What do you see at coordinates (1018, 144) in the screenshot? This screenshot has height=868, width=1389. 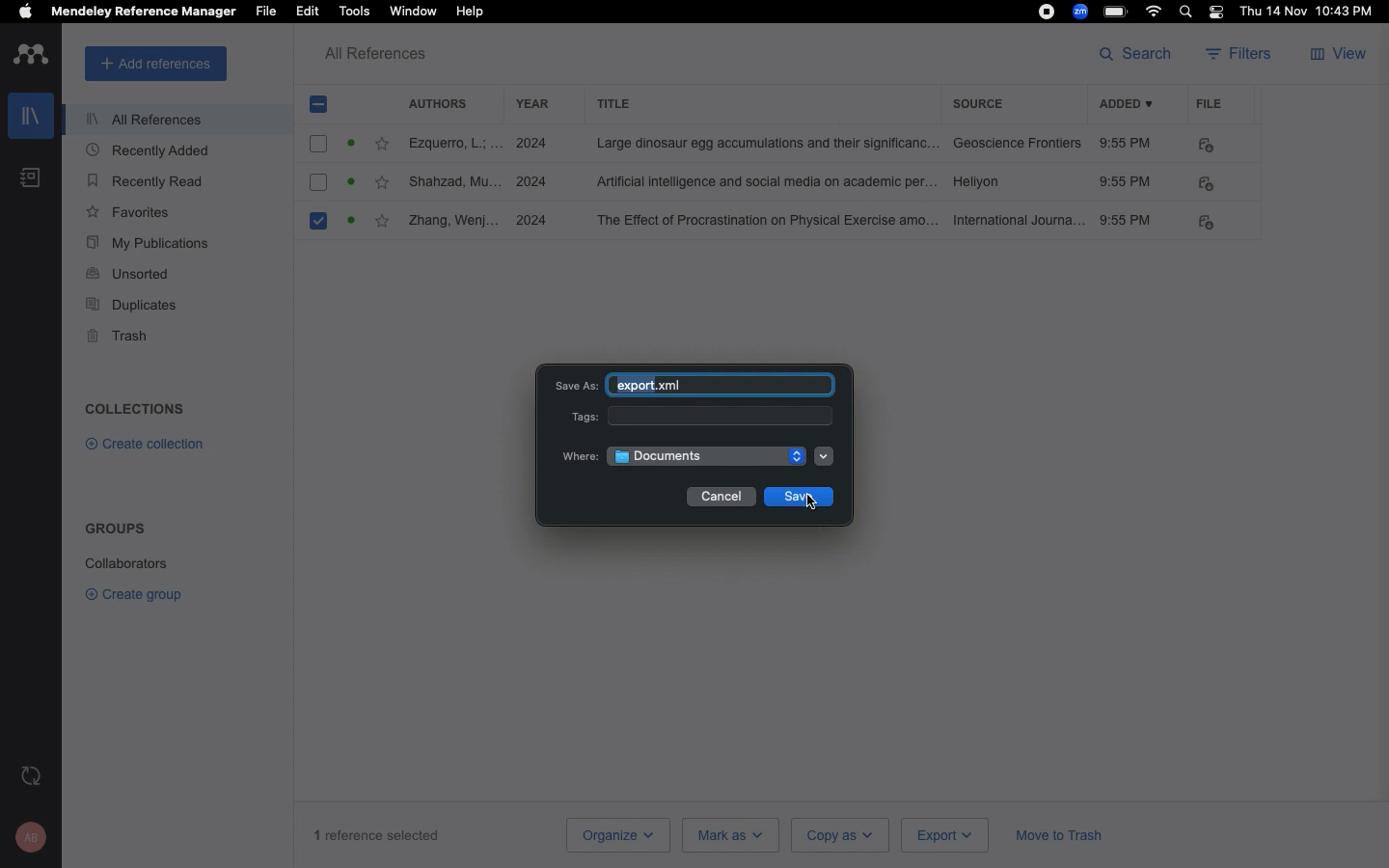 I see `Geoscience frontiers` at bounding box center [1018, 144].